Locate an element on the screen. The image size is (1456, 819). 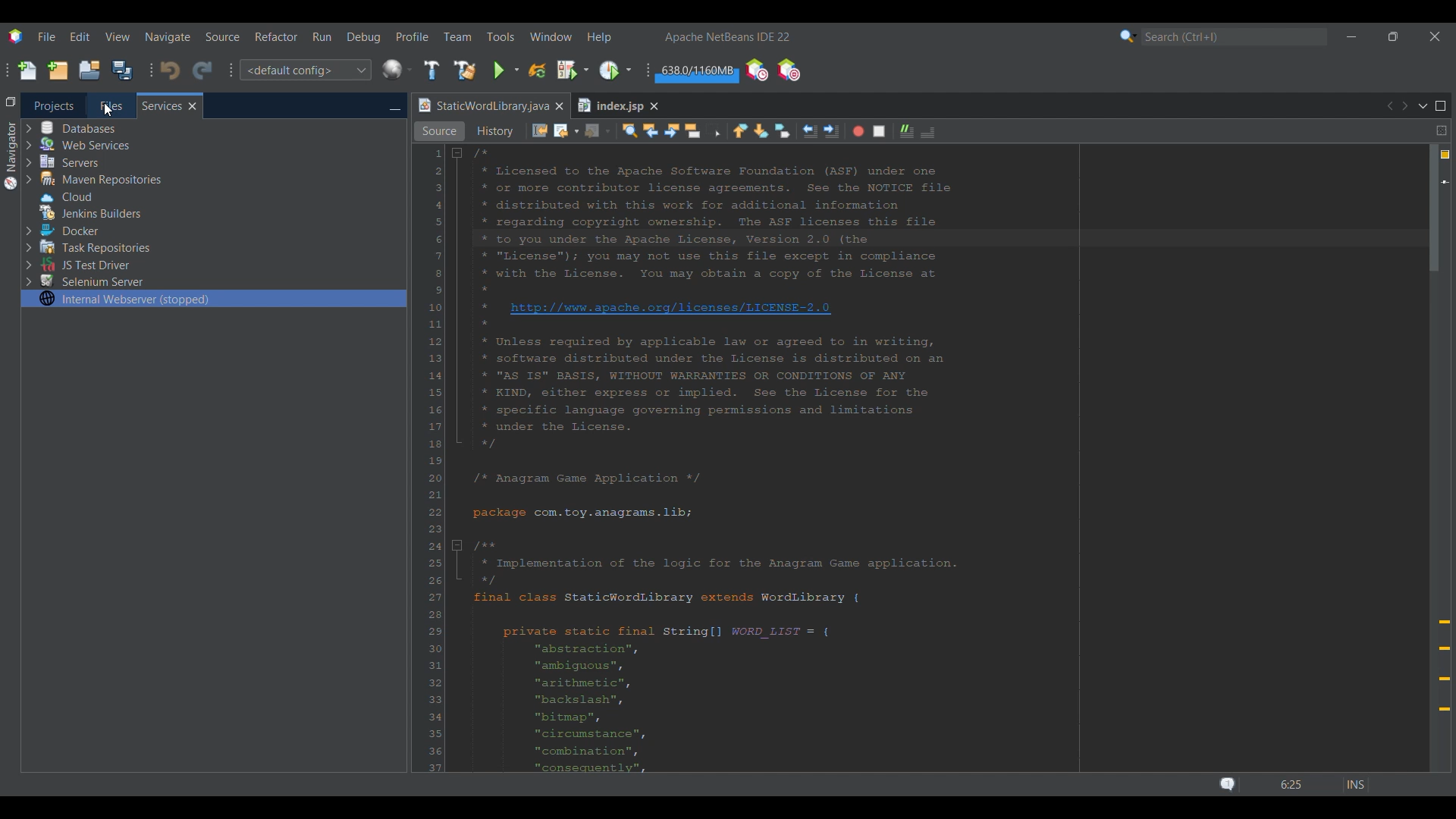
Find previous occurrence is located at coordinates (651, 130).